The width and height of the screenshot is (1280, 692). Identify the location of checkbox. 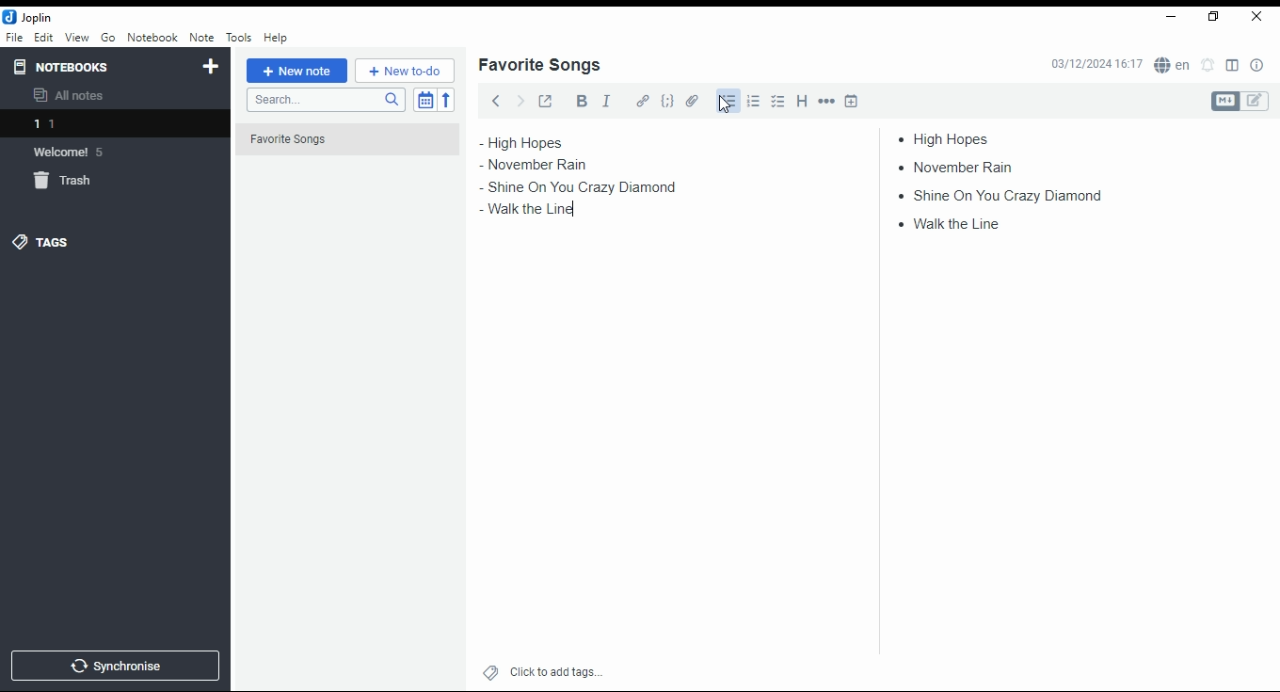
(776, 103).